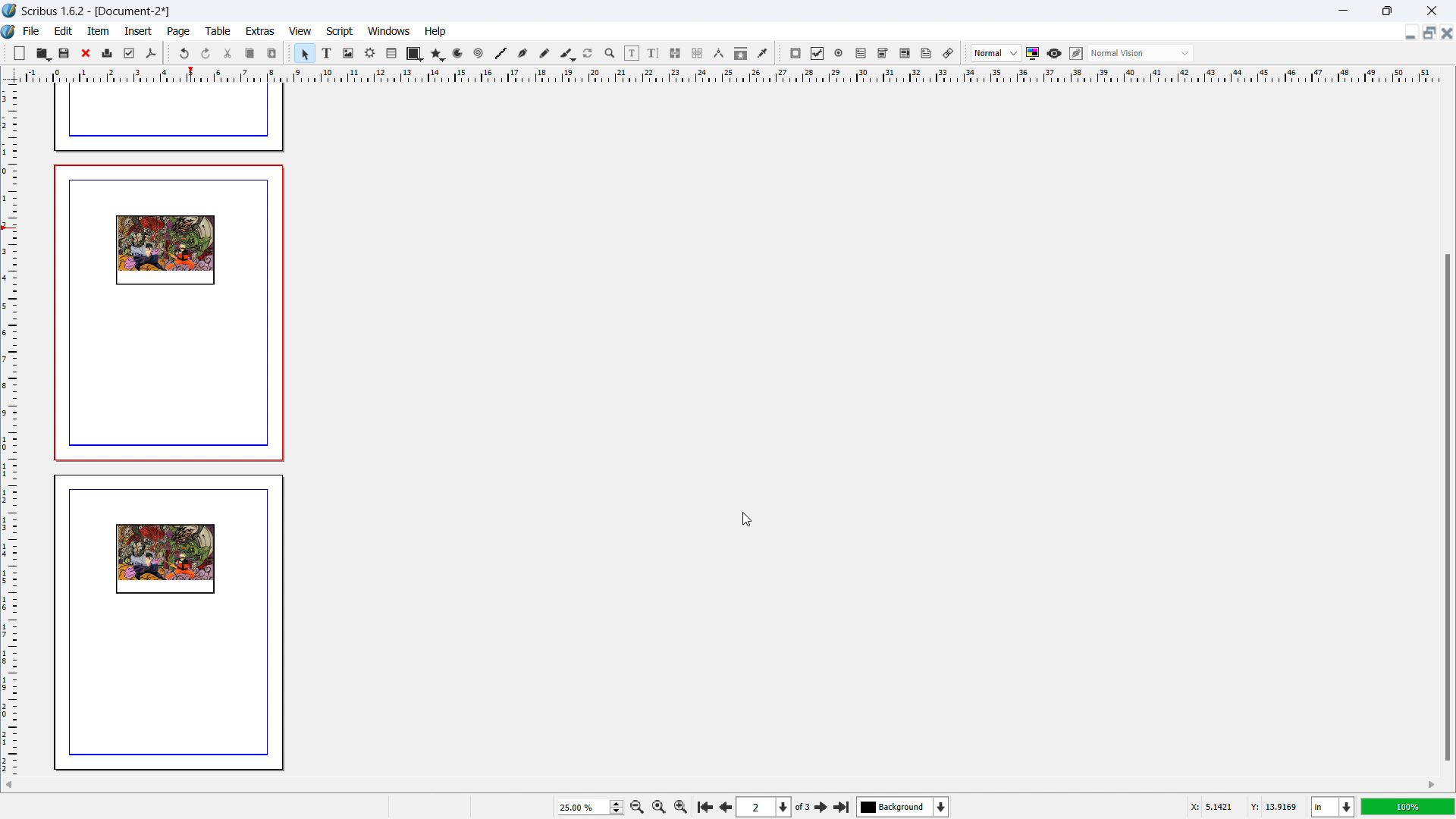 The height and width of the screenshot is (819, 1456). Describe the element at coordinates (653, 53) in the screenshot. I see `edit text with story editor` at that location.